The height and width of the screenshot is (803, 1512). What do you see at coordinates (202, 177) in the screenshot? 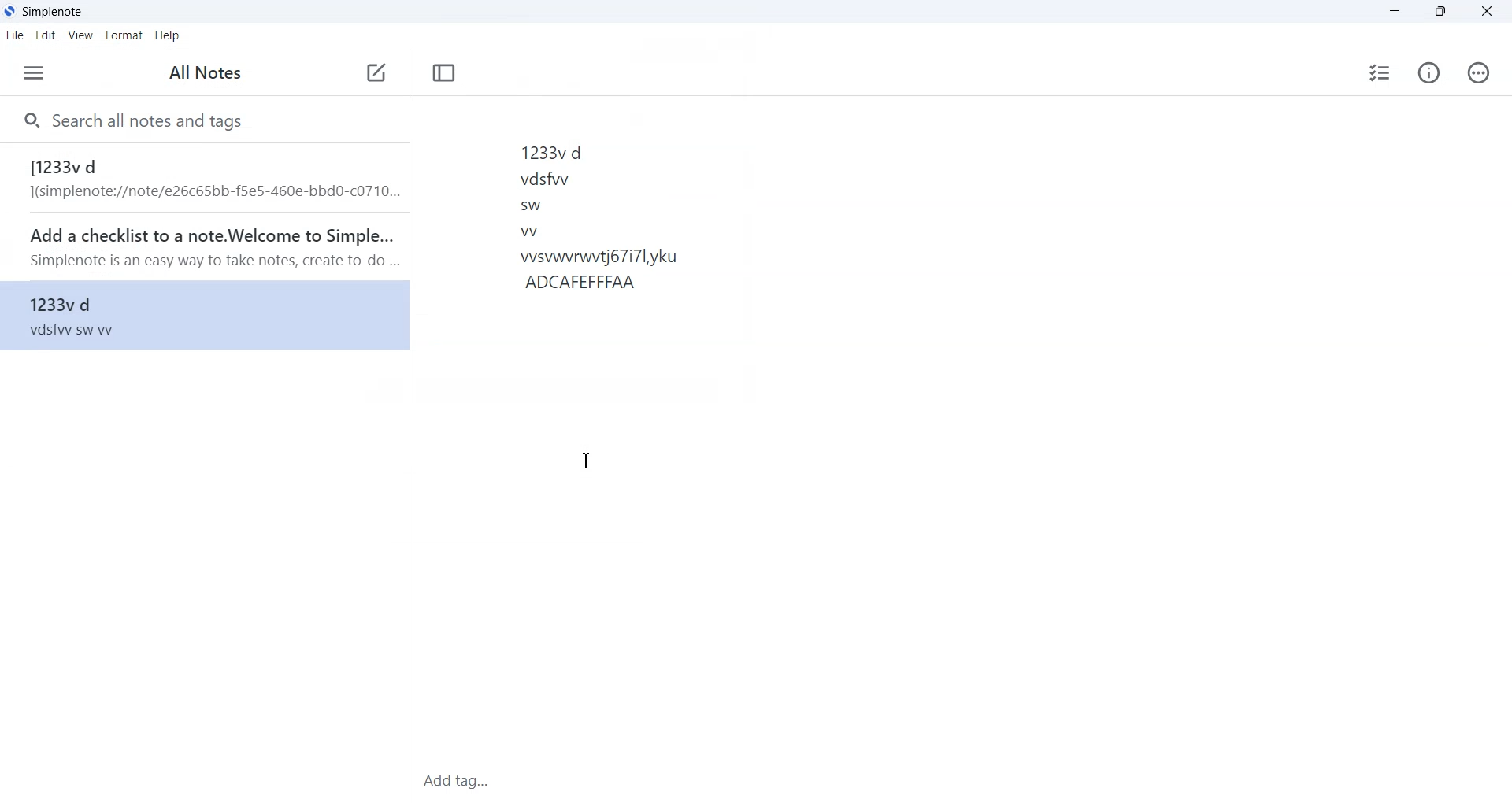
I see ` 1233v d file` at bounding box center [202, 177].